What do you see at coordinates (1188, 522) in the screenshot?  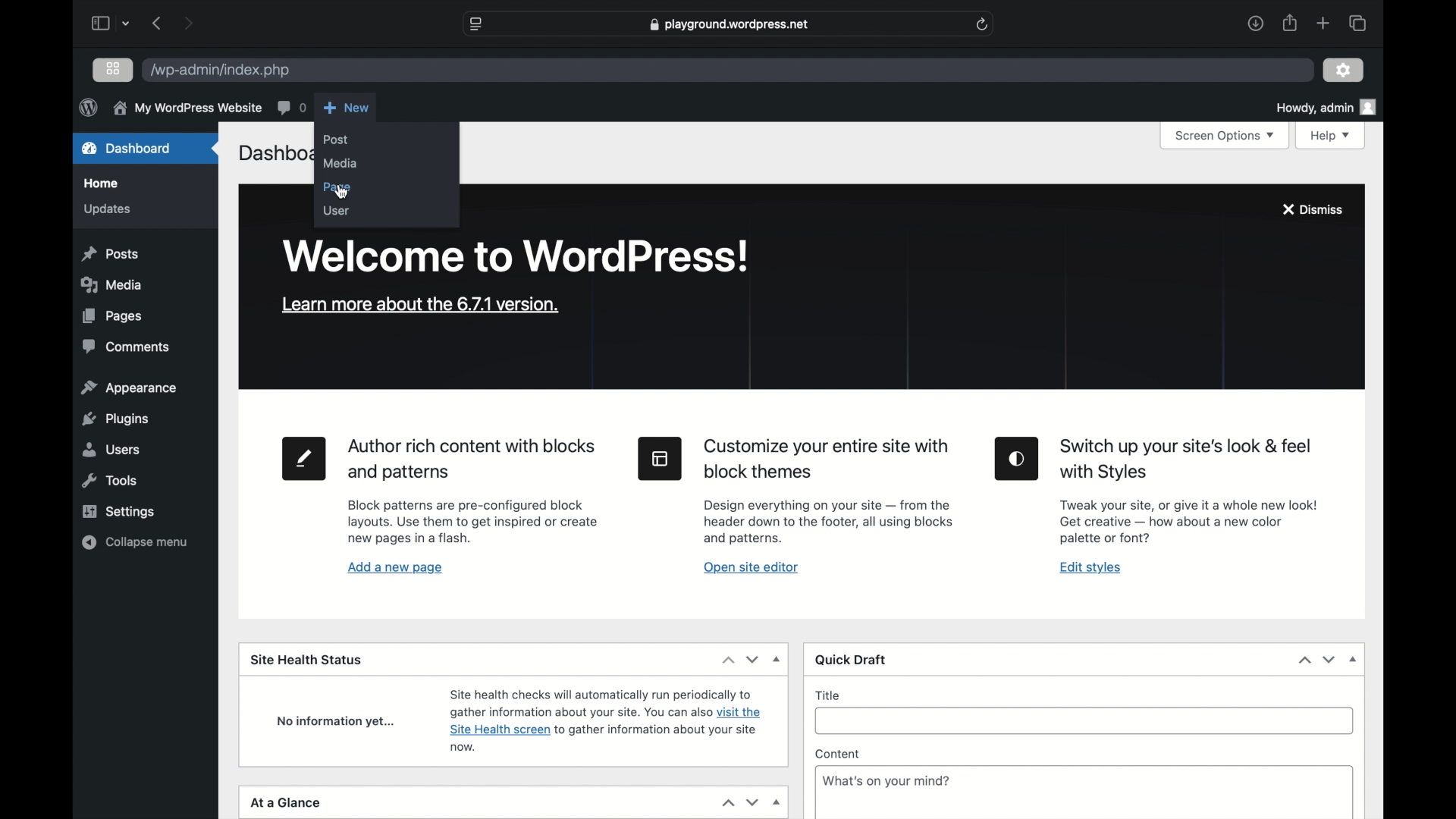 I see `edit style tool information` at bounding box center [1188, 522].